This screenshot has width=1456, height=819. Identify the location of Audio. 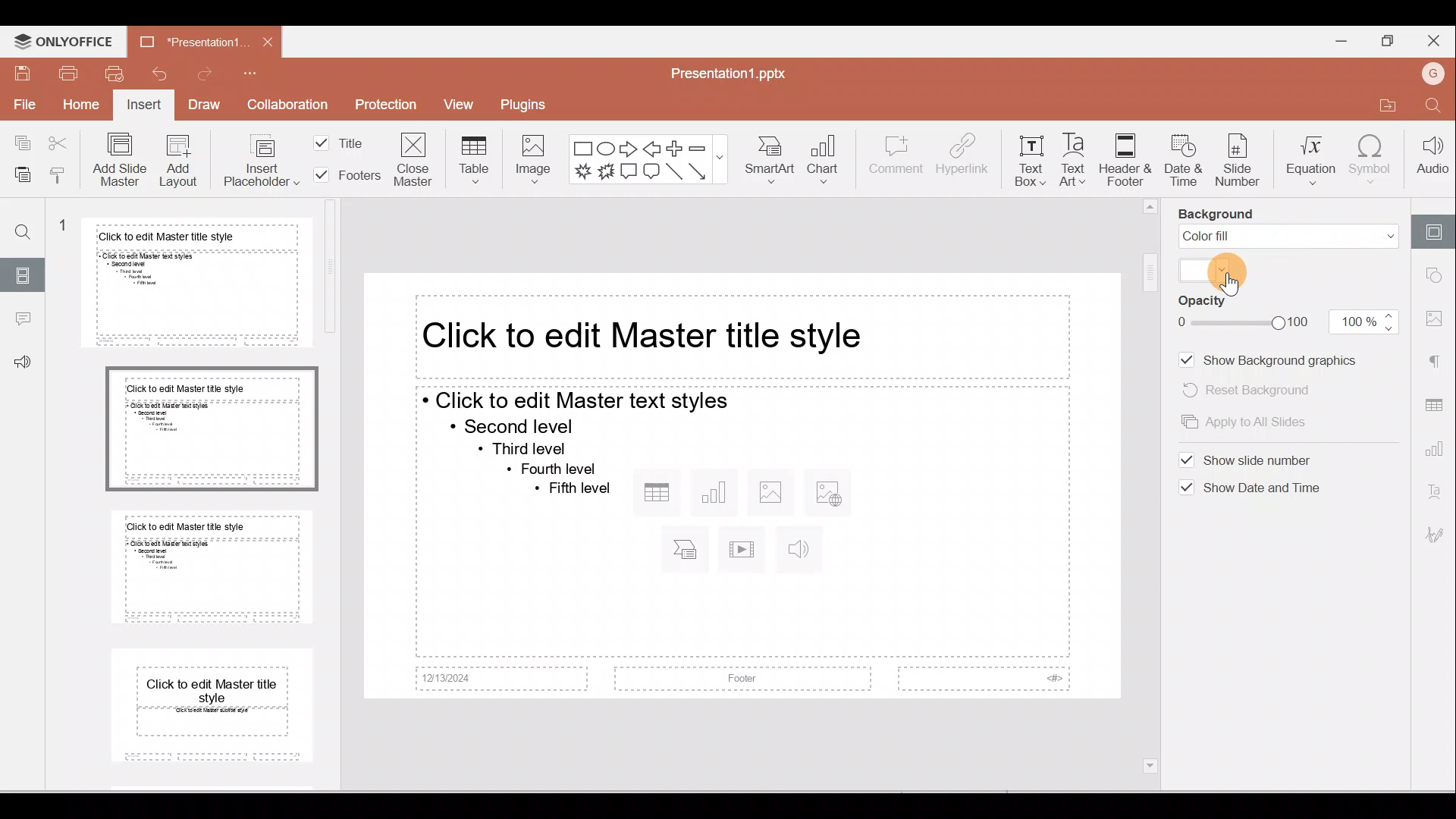
(1432, 159).